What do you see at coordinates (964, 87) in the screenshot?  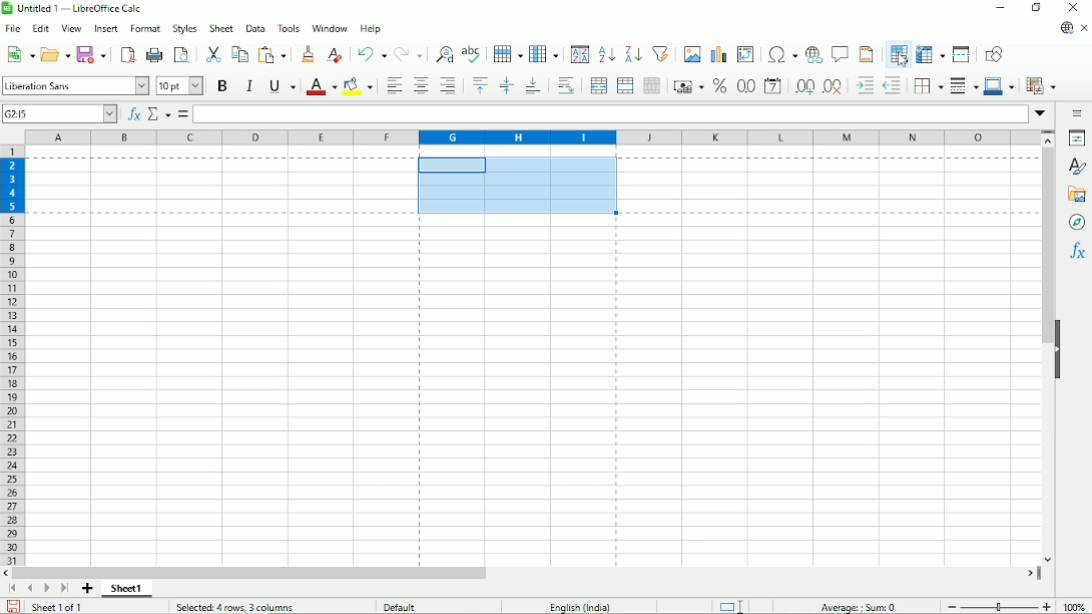 I see `Border style` at bounding box center [964, 87].